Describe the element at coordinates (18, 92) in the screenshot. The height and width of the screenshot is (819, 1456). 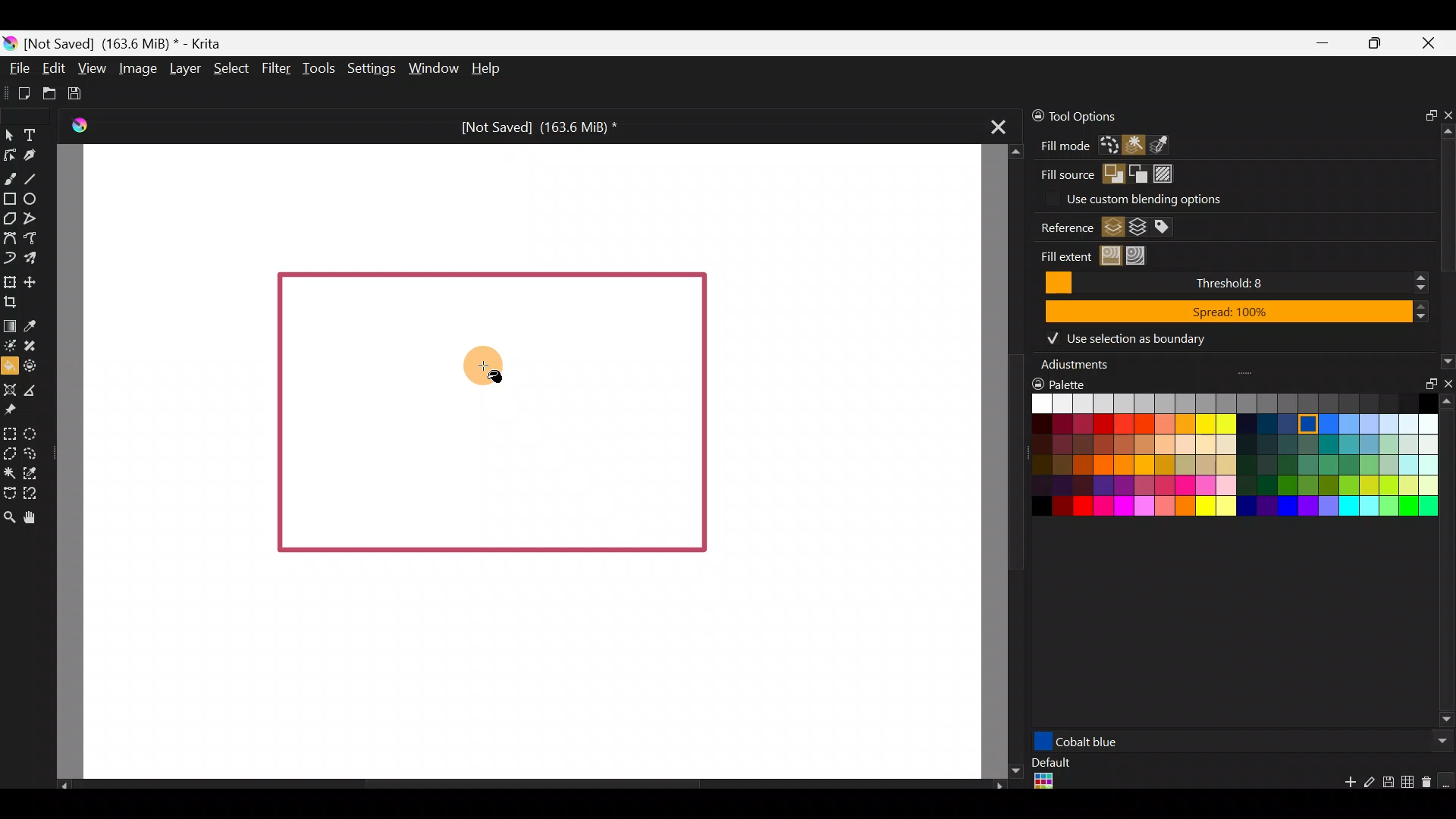
I see `Create new document` at that location.